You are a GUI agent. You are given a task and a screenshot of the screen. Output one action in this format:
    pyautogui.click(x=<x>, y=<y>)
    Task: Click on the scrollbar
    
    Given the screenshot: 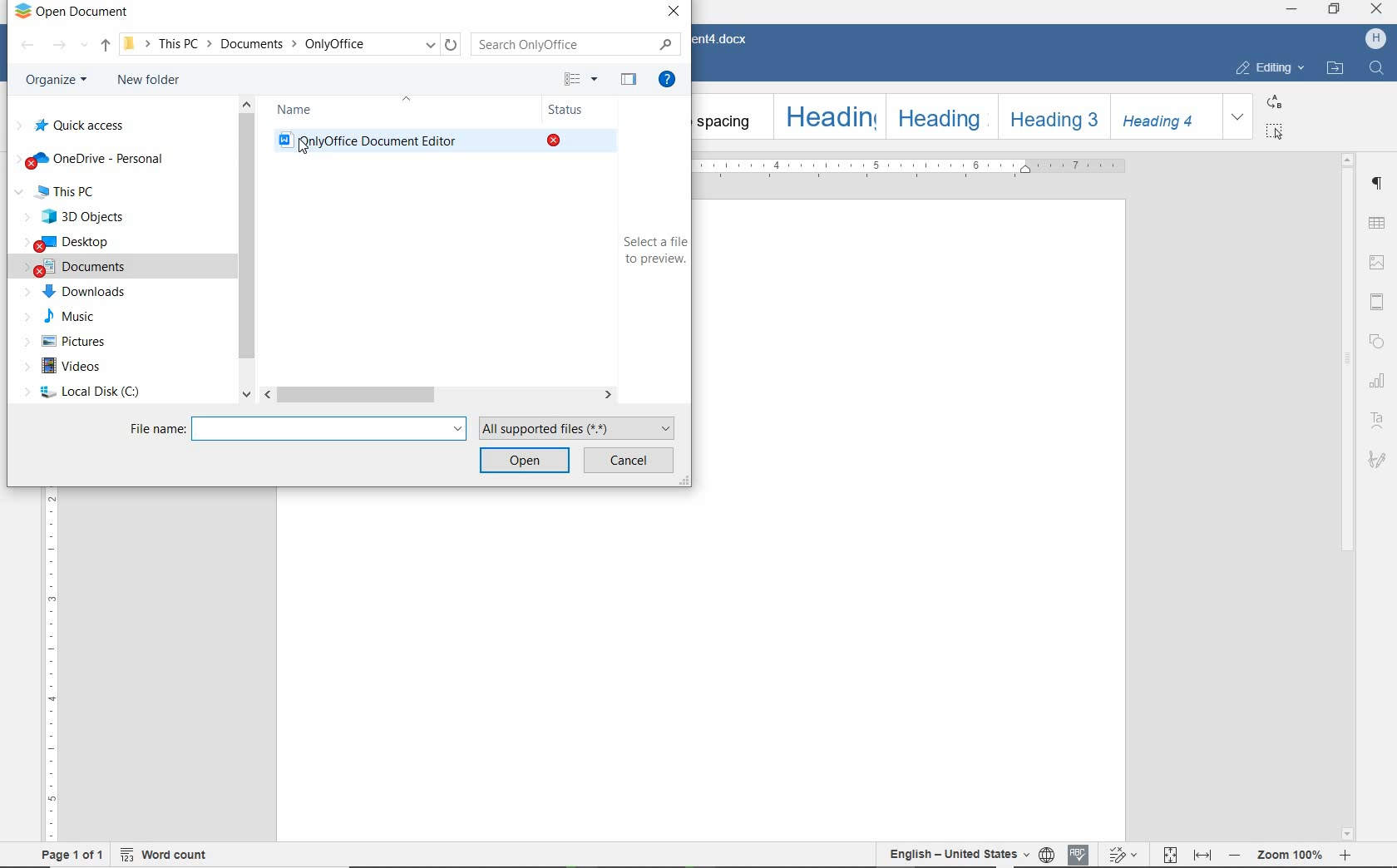 What is the action you would take?
    pyautogui.click(x=439, y=394)
    